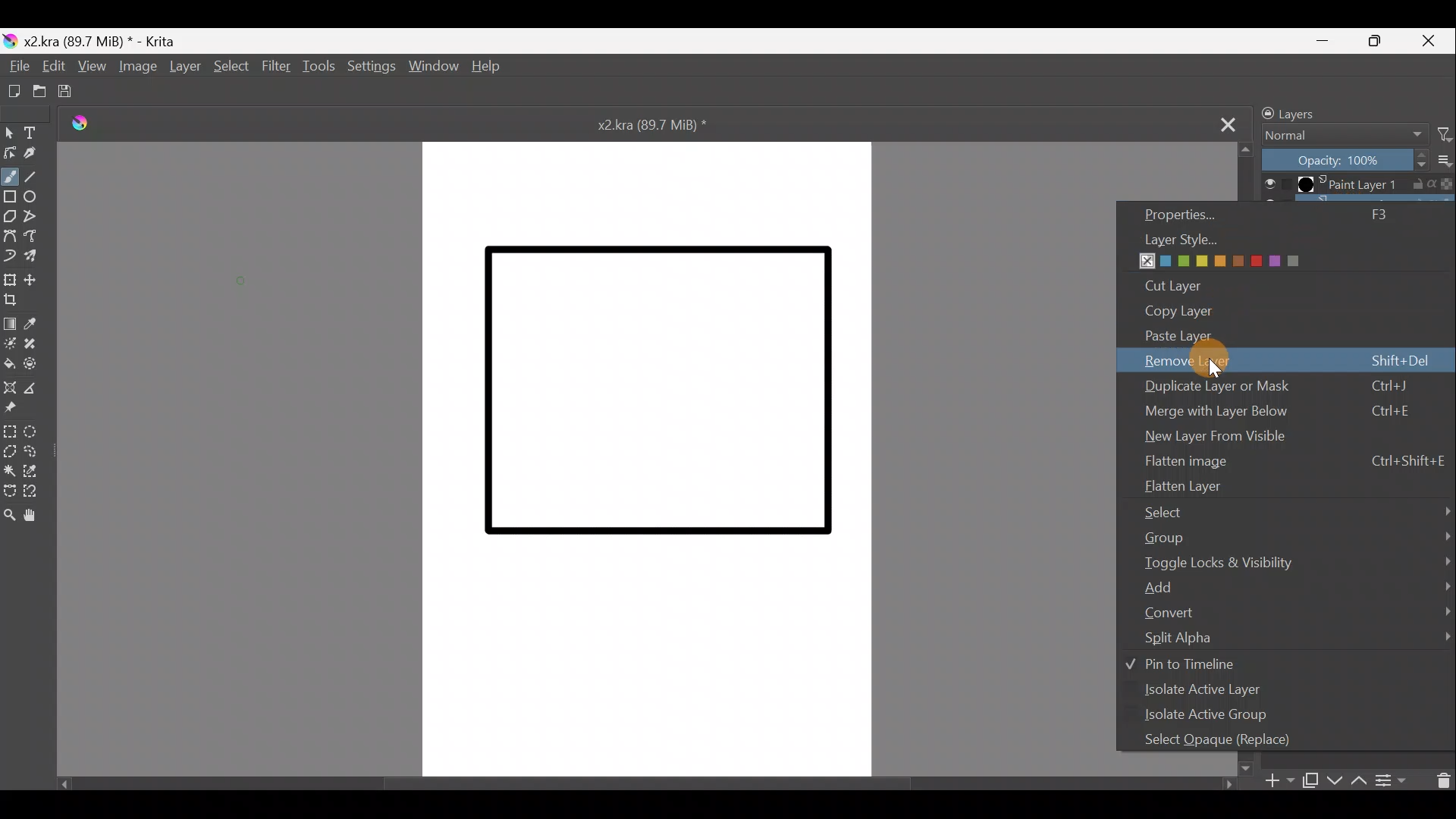  Describe the element at coordinates (1295, 460) in the screenshot. I see `Flatten image` at that location.